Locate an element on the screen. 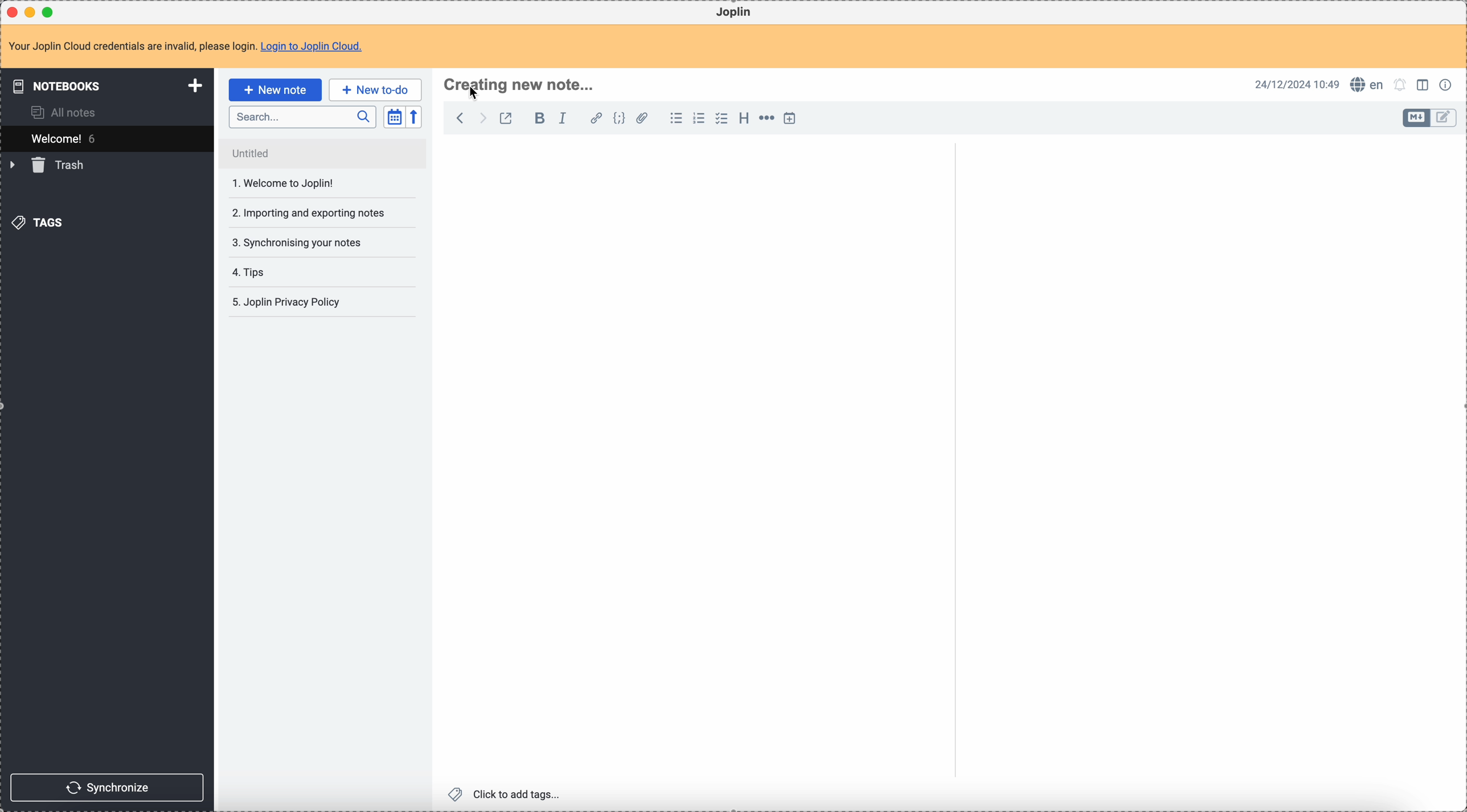  toggle sort order field is located at coordinates (394, 117).